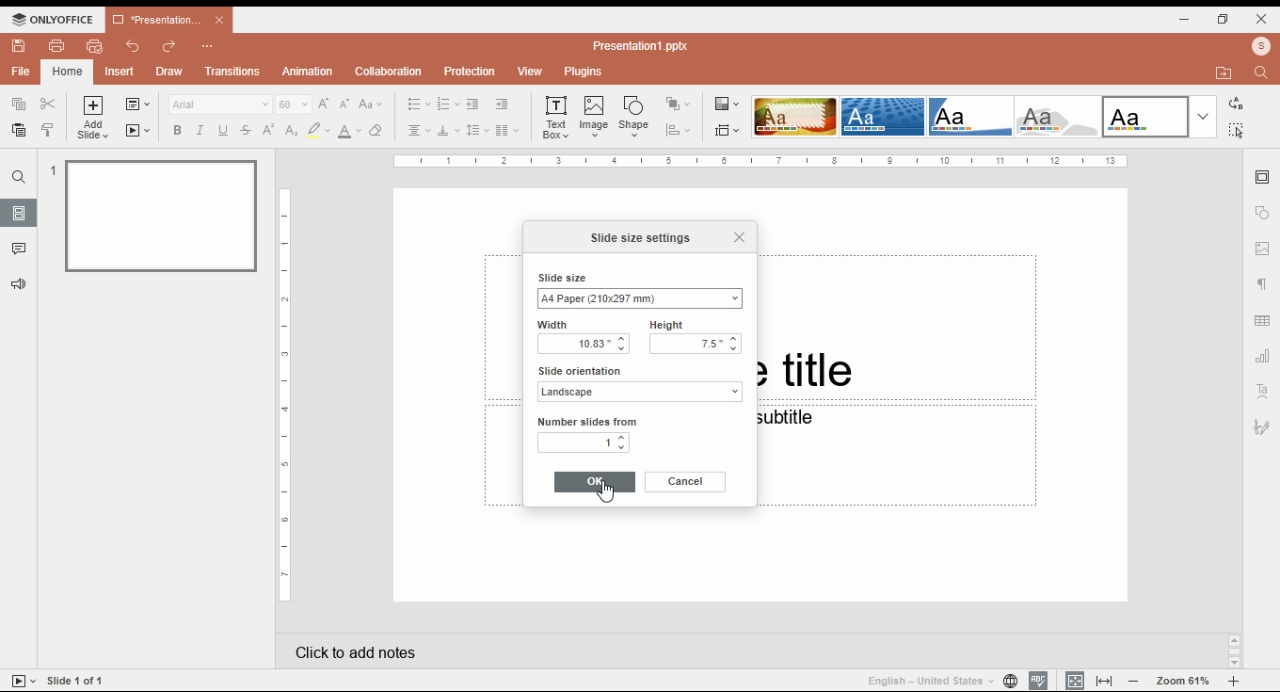 The height and width of the screenshot is (692, 1280). Describe the element at coordinates (19, 212) in the screenshot. I see `slides` at that location.